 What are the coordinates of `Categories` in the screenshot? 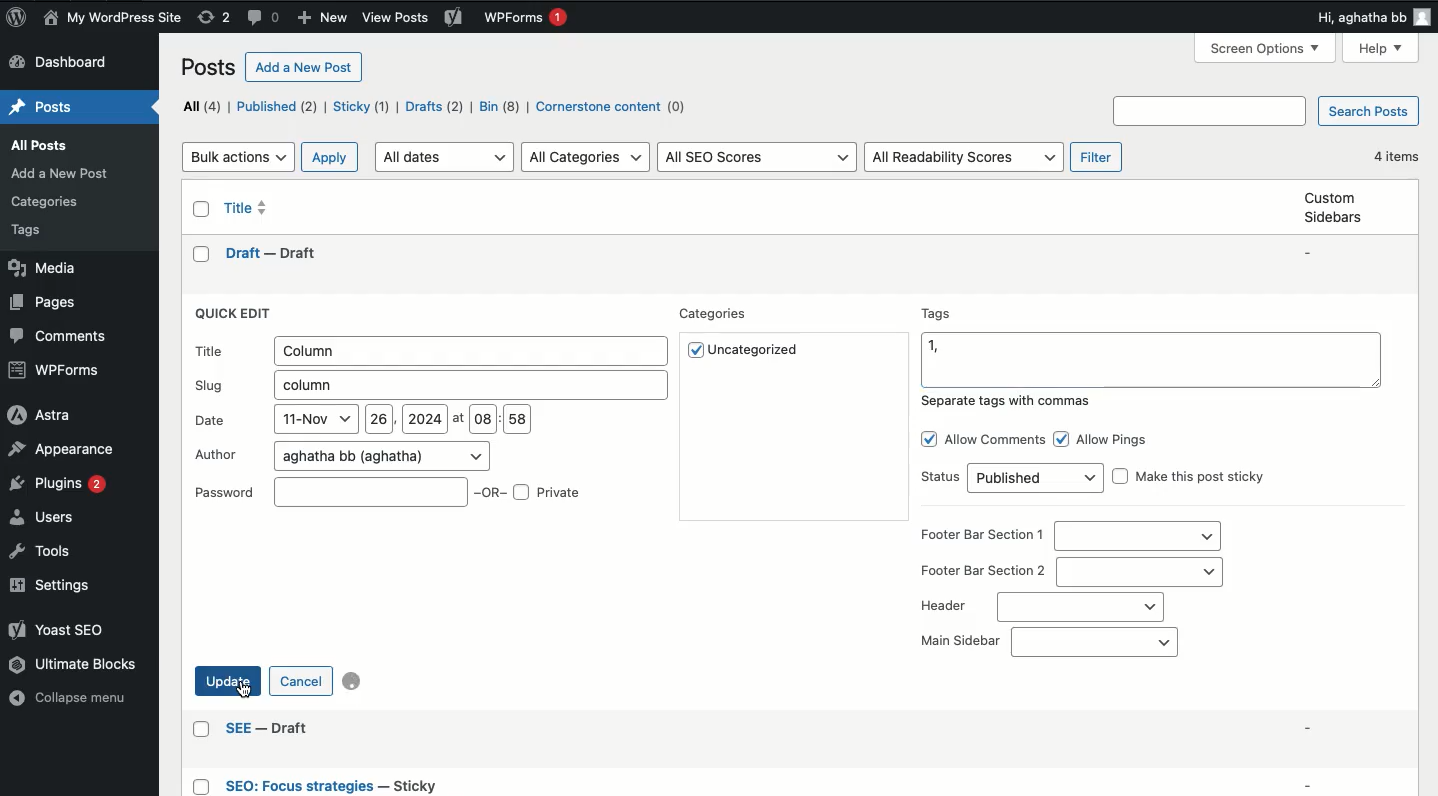 It's located at (715, 315).